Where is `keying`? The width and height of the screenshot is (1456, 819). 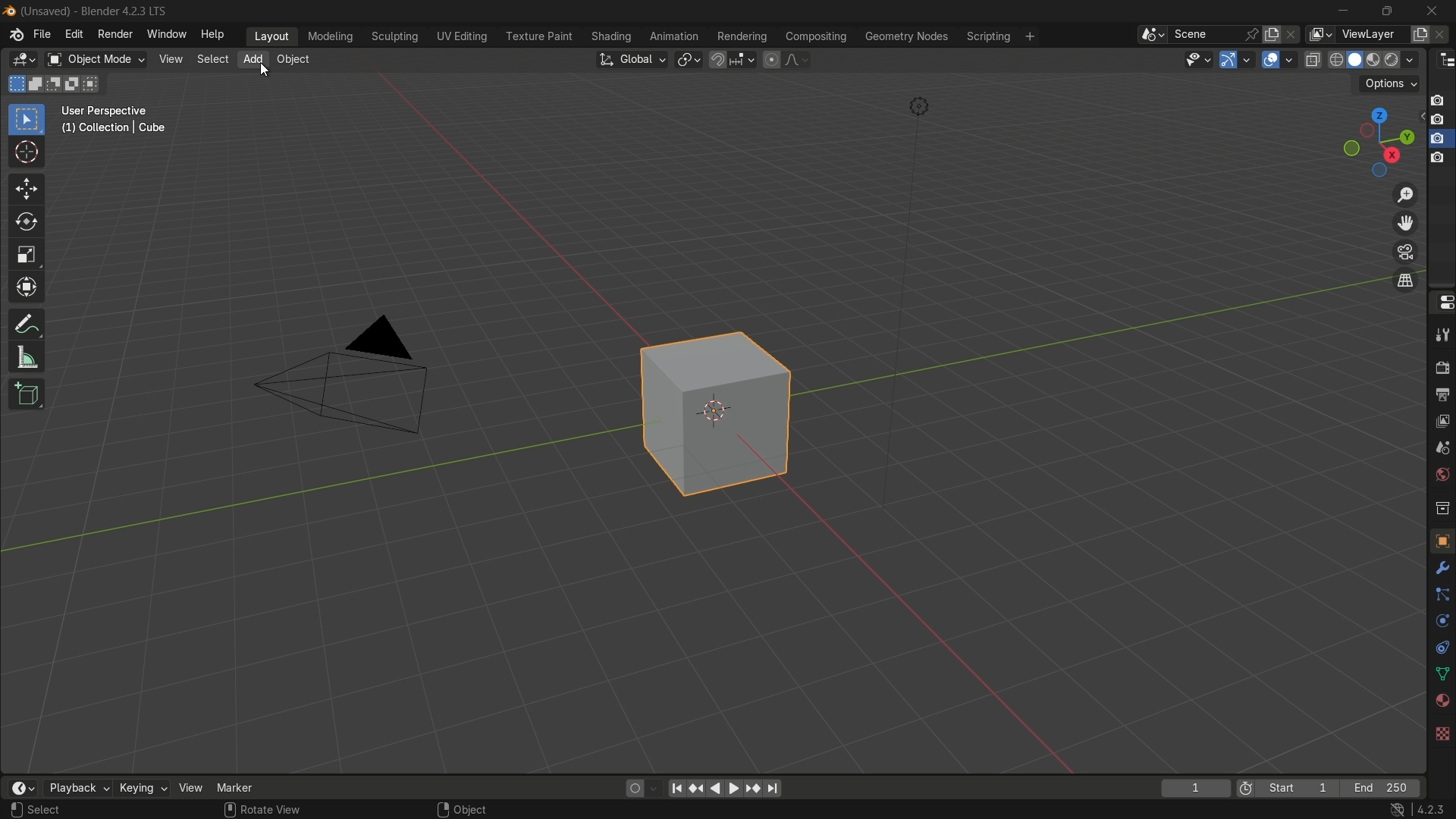
keying is located at coordinates (141, 787).